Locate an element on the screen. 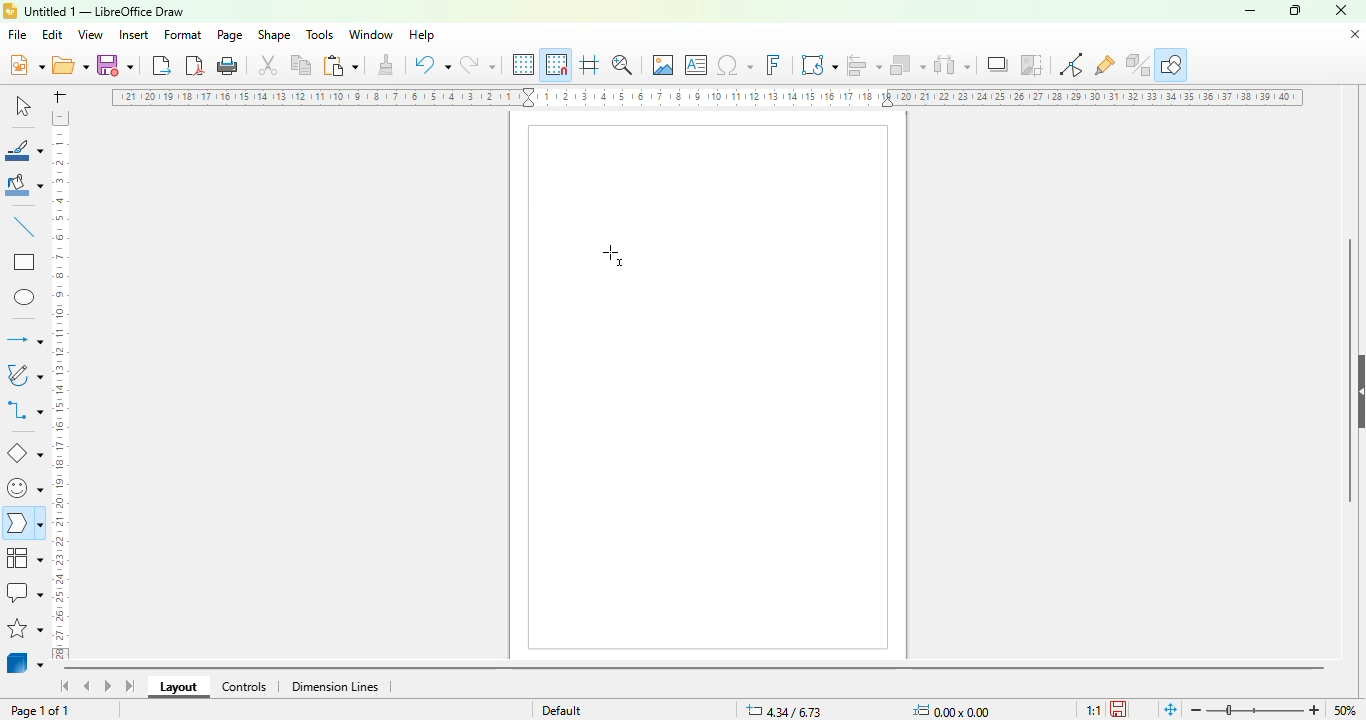 This screenshot has height=720, width=1366. flowchart is located at coordinates (25, 558).